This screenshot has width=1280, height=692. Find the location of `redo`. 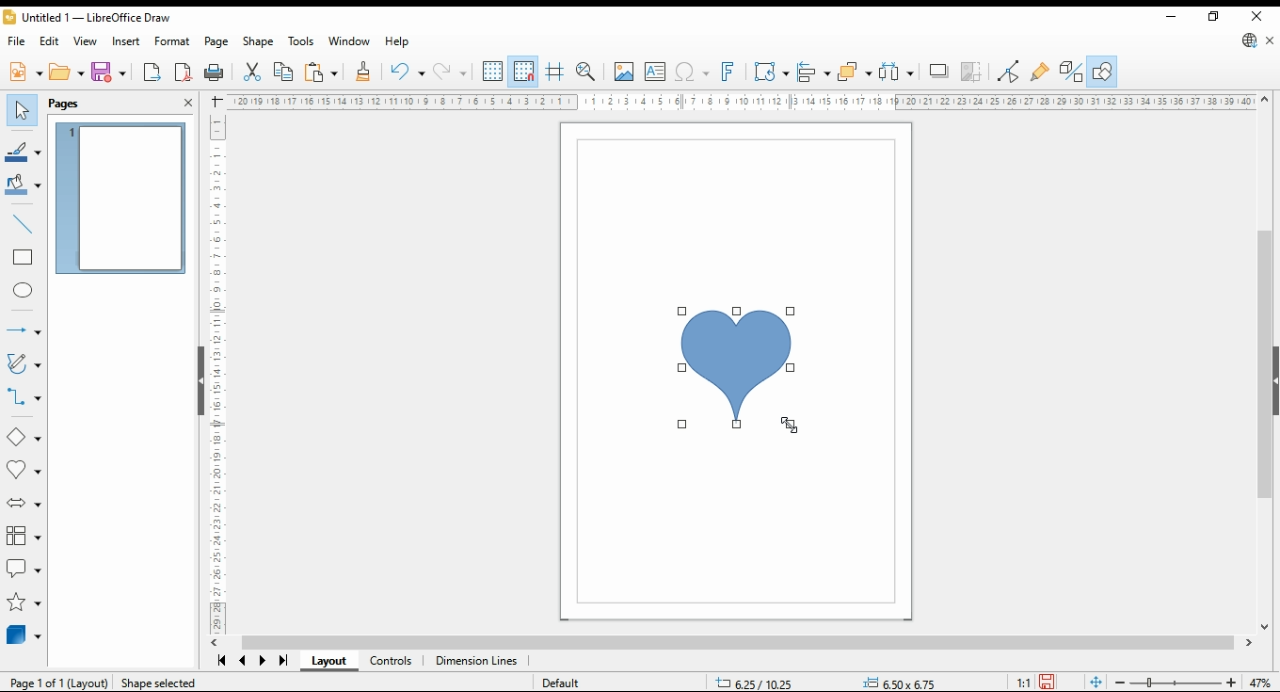

redo is located at coordinates (449, 71).